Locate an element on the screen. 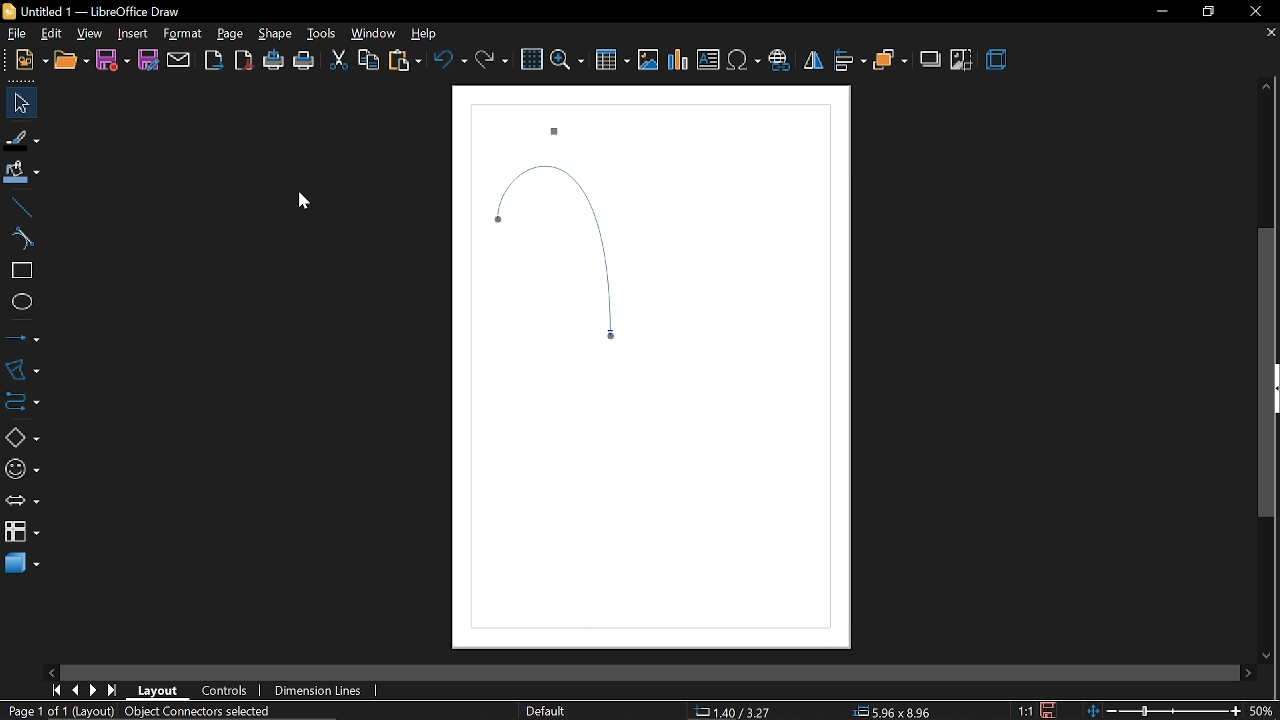 Image resolution: width=1280 pixels, height=720 pixels. move right is located at coordinates (1248, 671).